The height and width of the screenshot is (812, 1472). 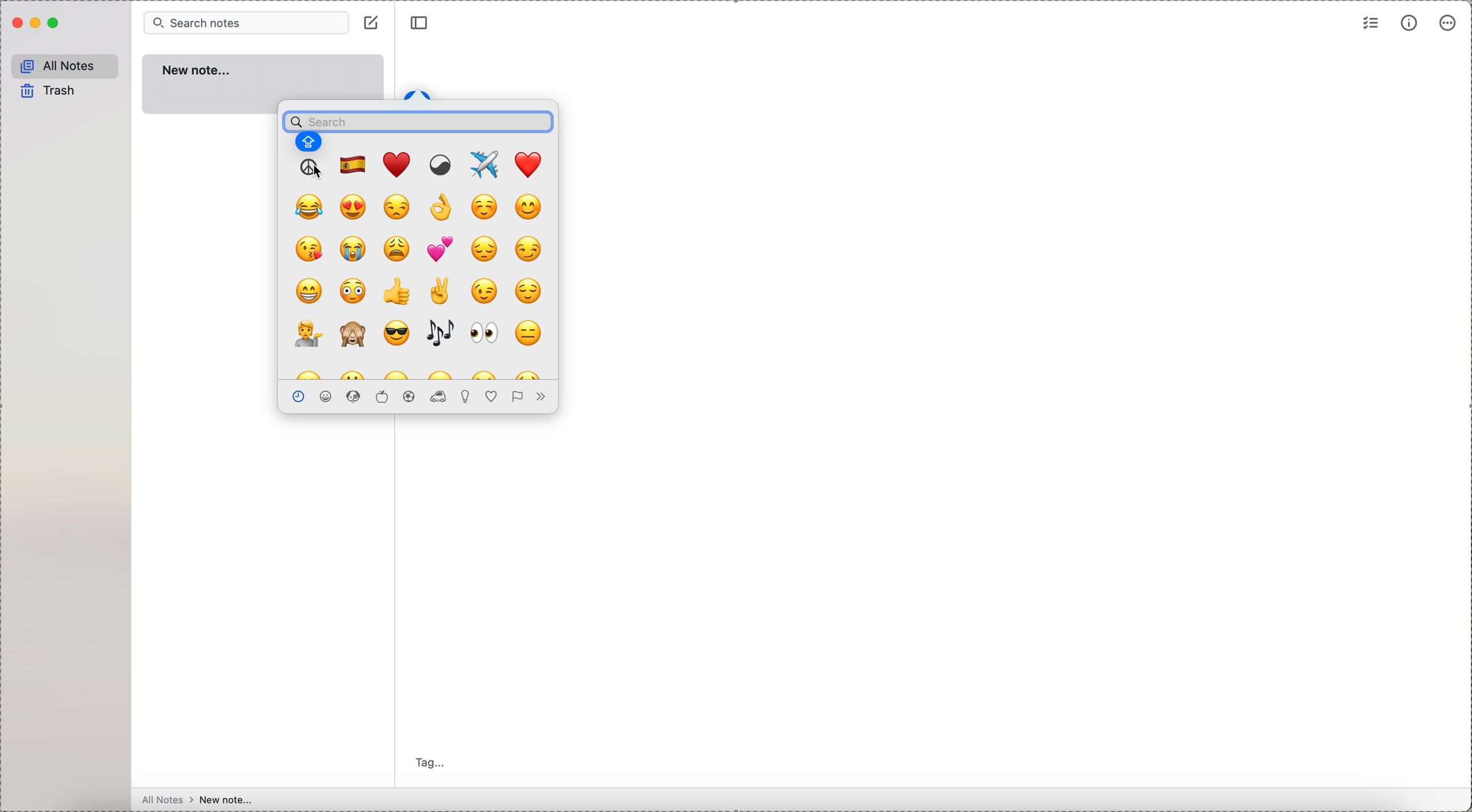 I want to click on symbols, so click(x=493, y=397).